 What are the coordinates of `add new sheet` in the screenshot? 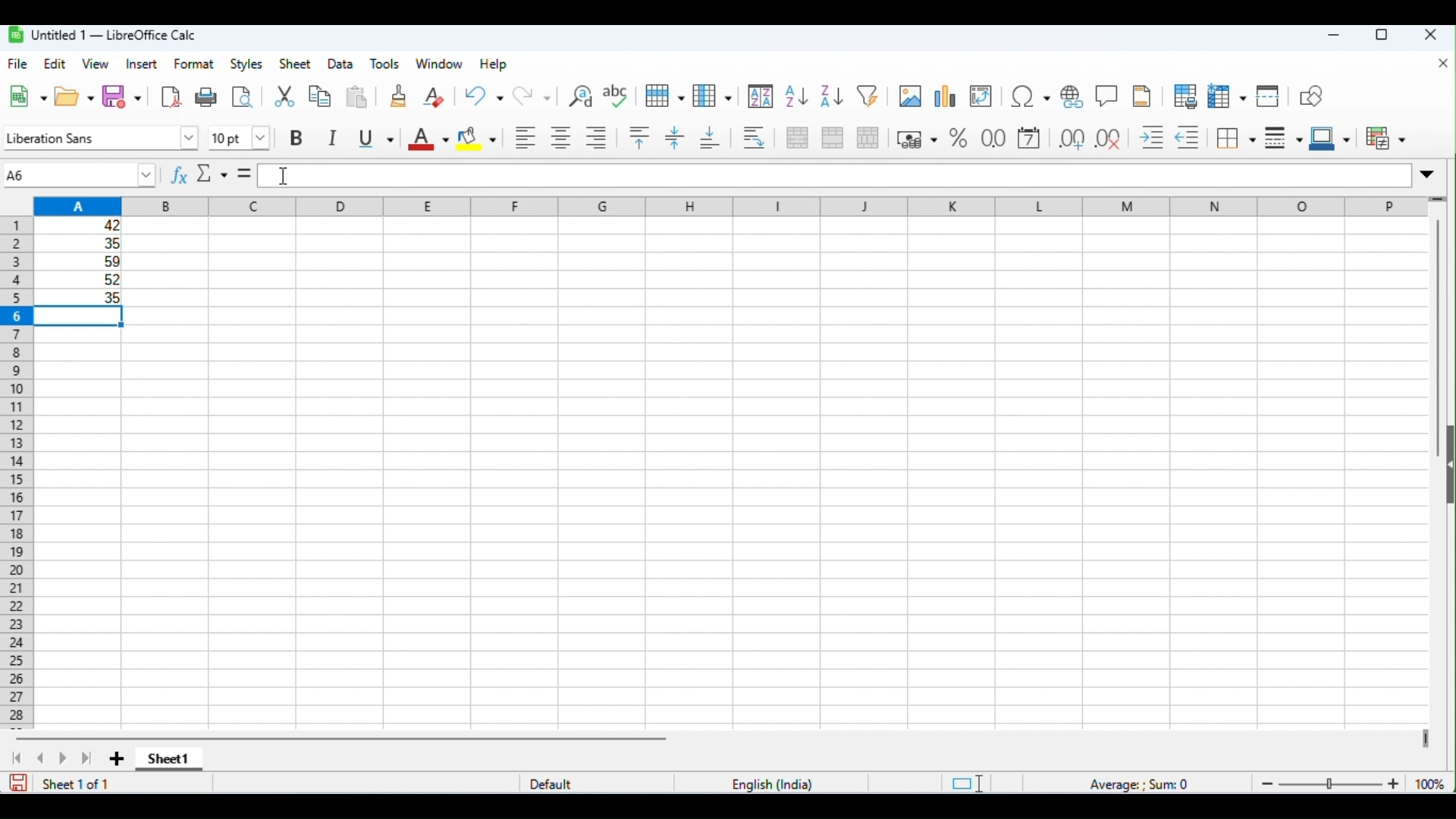 It's located at (115, 760).